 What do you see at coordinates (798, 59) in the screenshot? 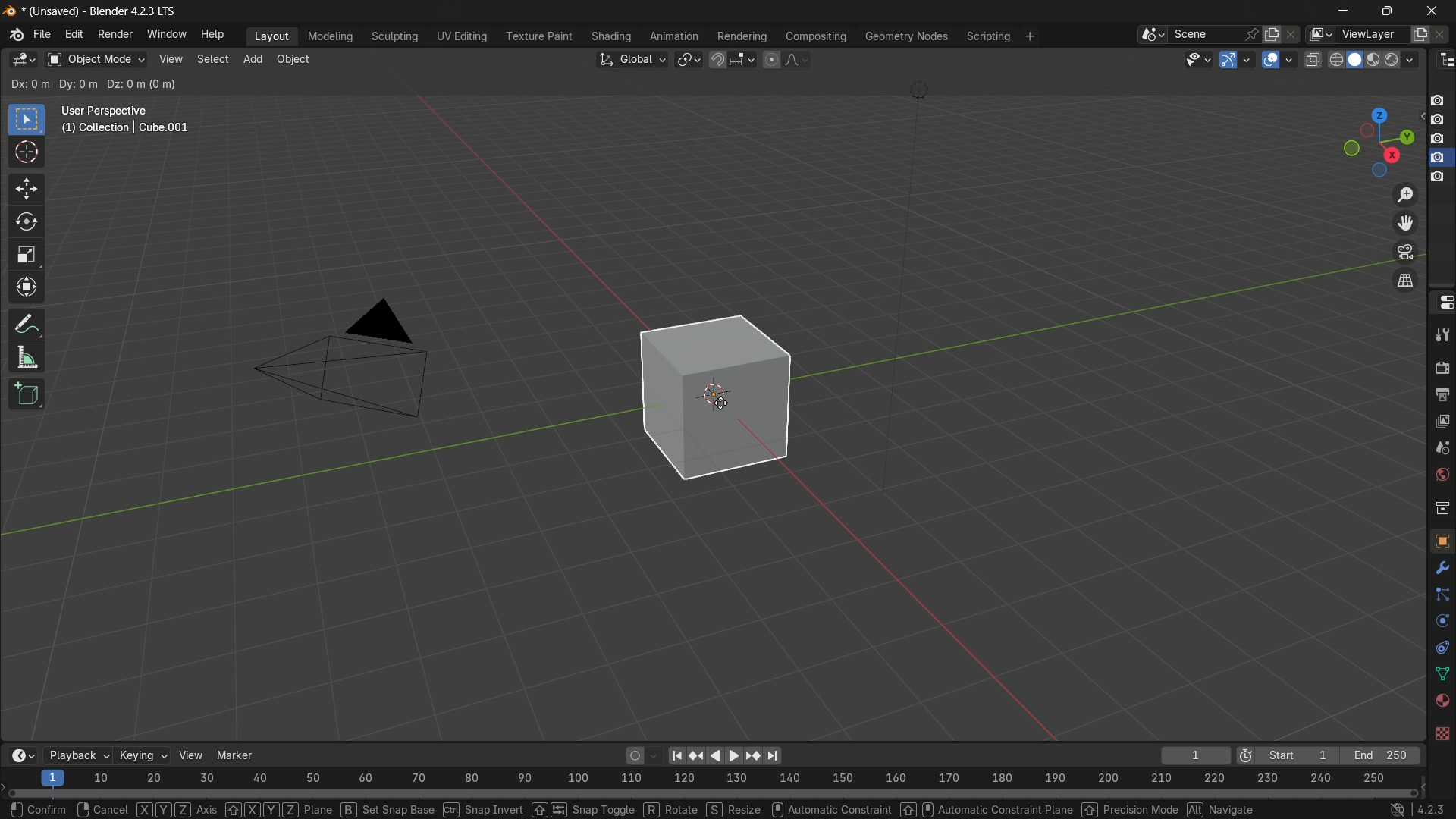
I see `propotional editing fall off` at bounding box center [798, 59].